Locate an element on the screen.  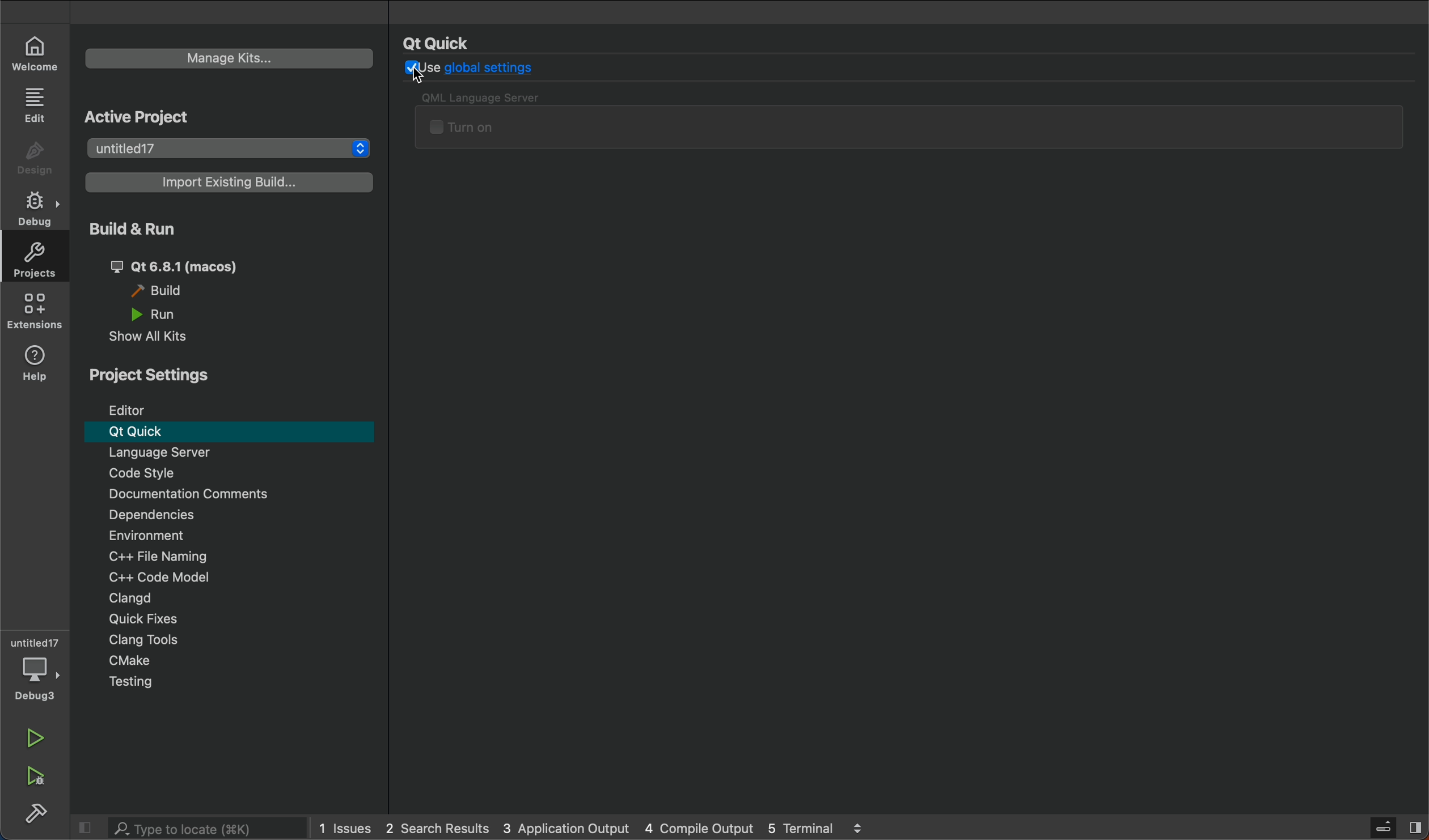
QML server  is located at coordinates (910, 127).